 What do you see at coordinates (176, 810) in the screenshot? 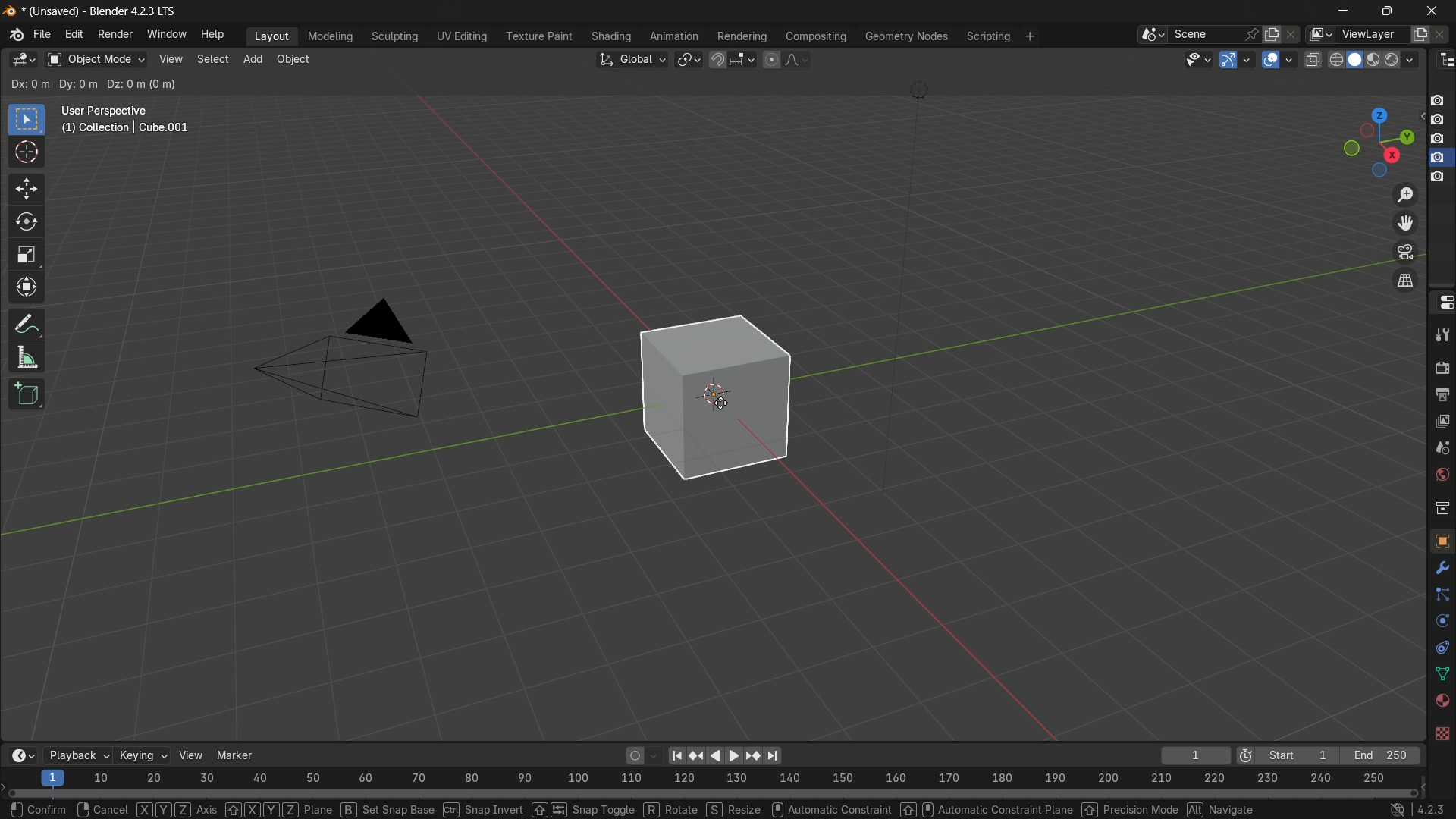
I see `XYZ AXIS ` at bounding box center [176, 810].